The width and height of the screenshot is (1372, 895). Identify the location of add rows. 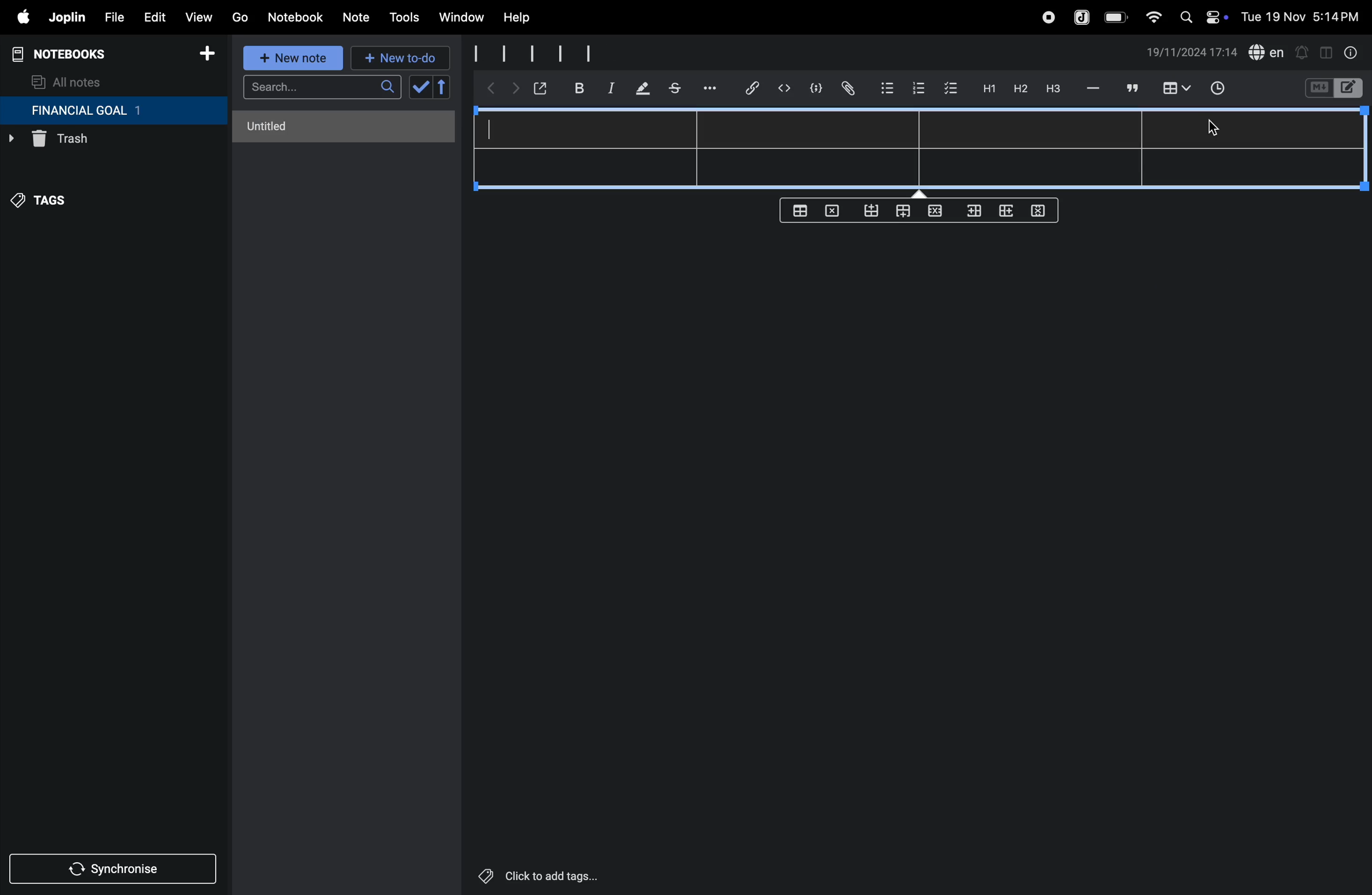
(1004, 214).